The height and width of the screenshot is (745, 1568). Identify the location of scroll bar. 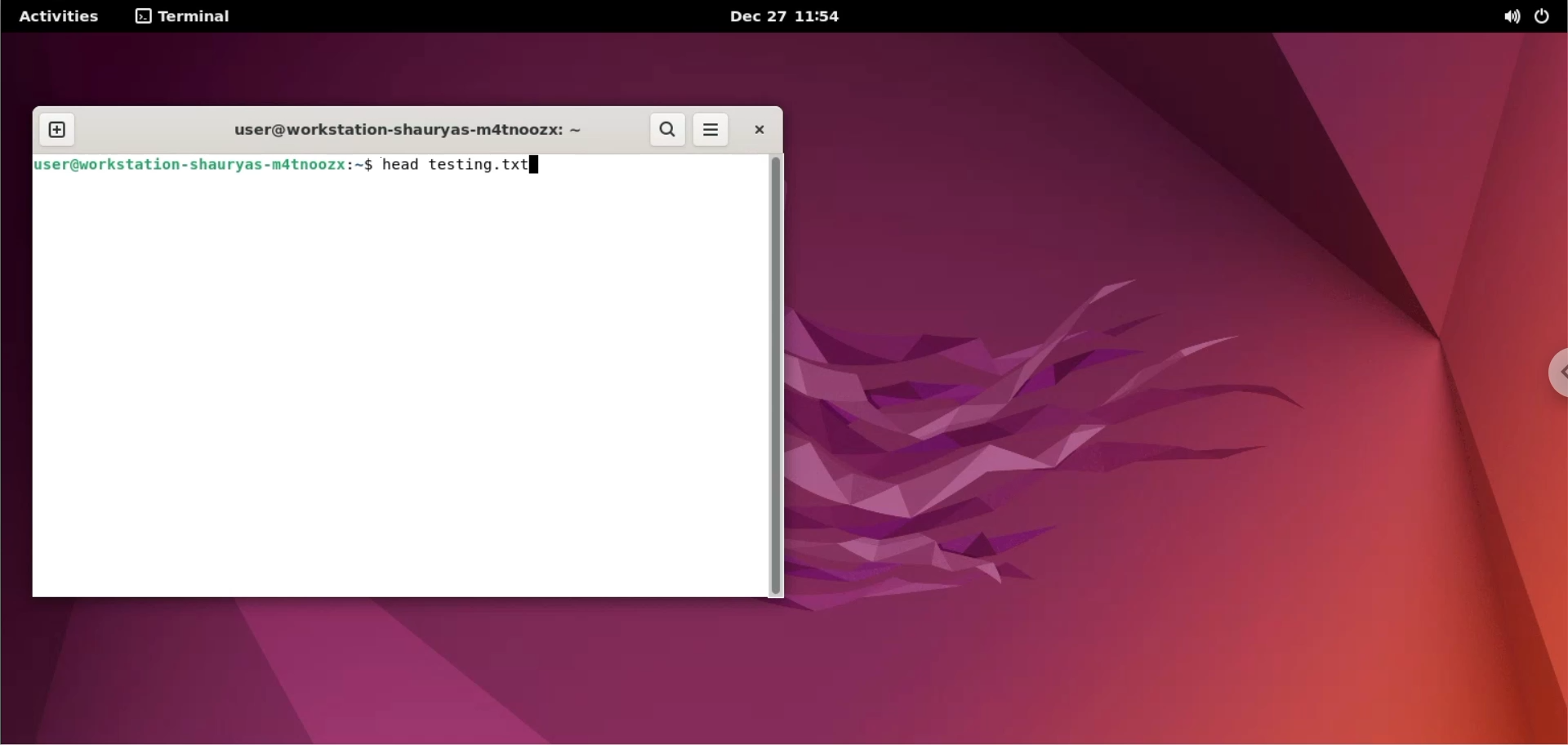
(777, 377).